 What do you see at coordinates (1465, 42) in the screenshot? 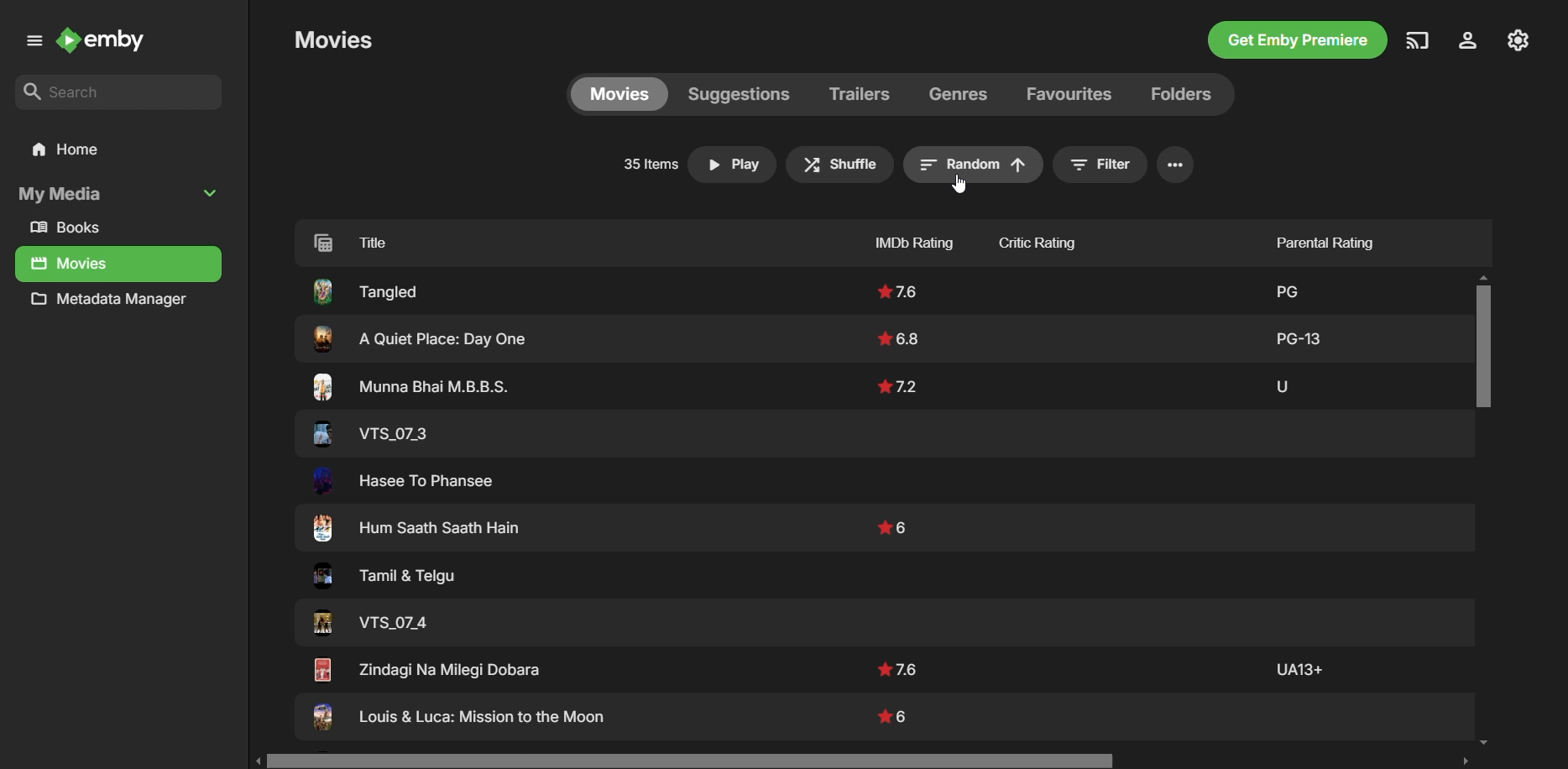
I see `Settings` at bounding box center [1465, 42].